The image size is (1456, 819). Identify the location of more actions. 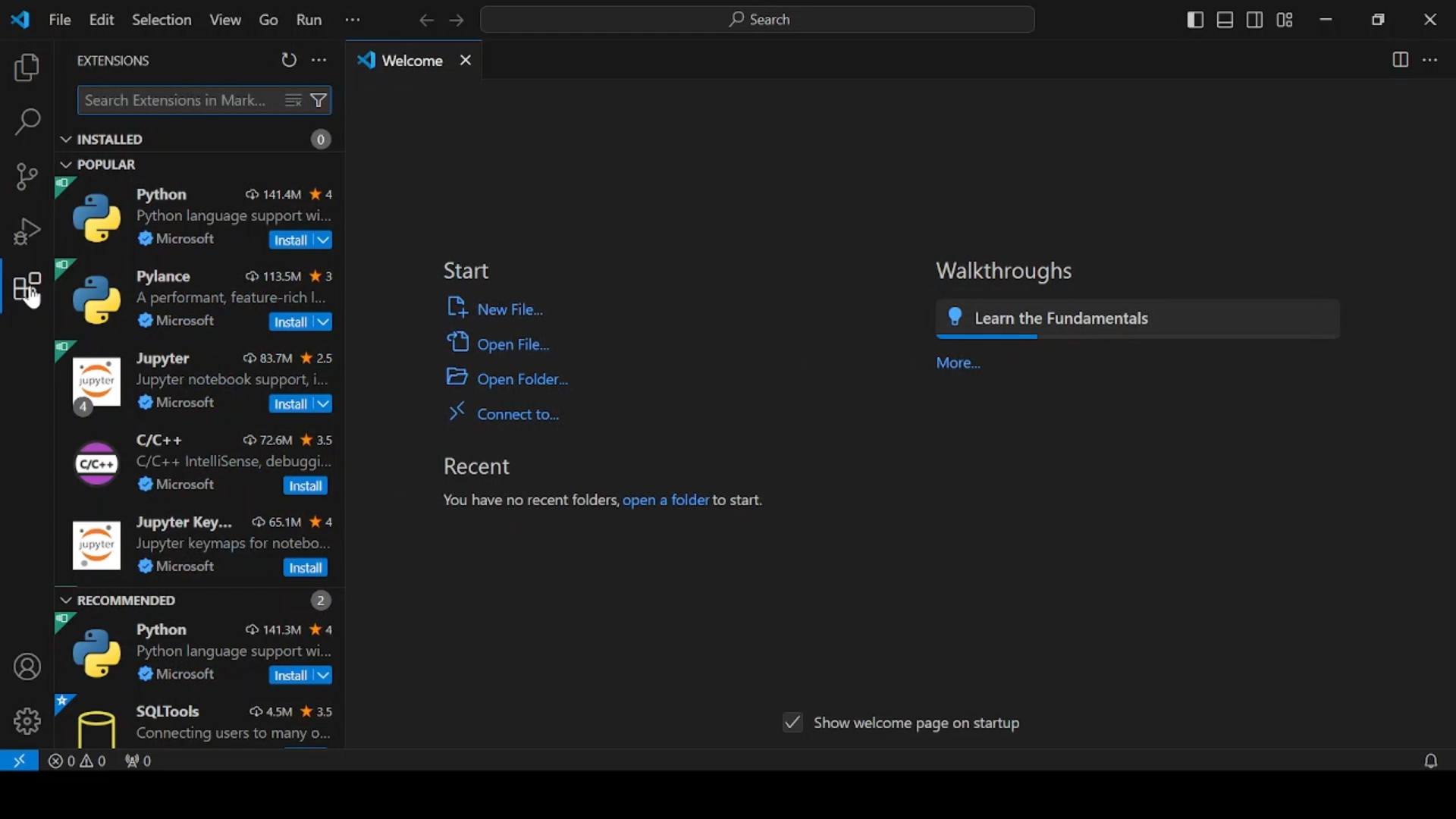
(1431, 60).